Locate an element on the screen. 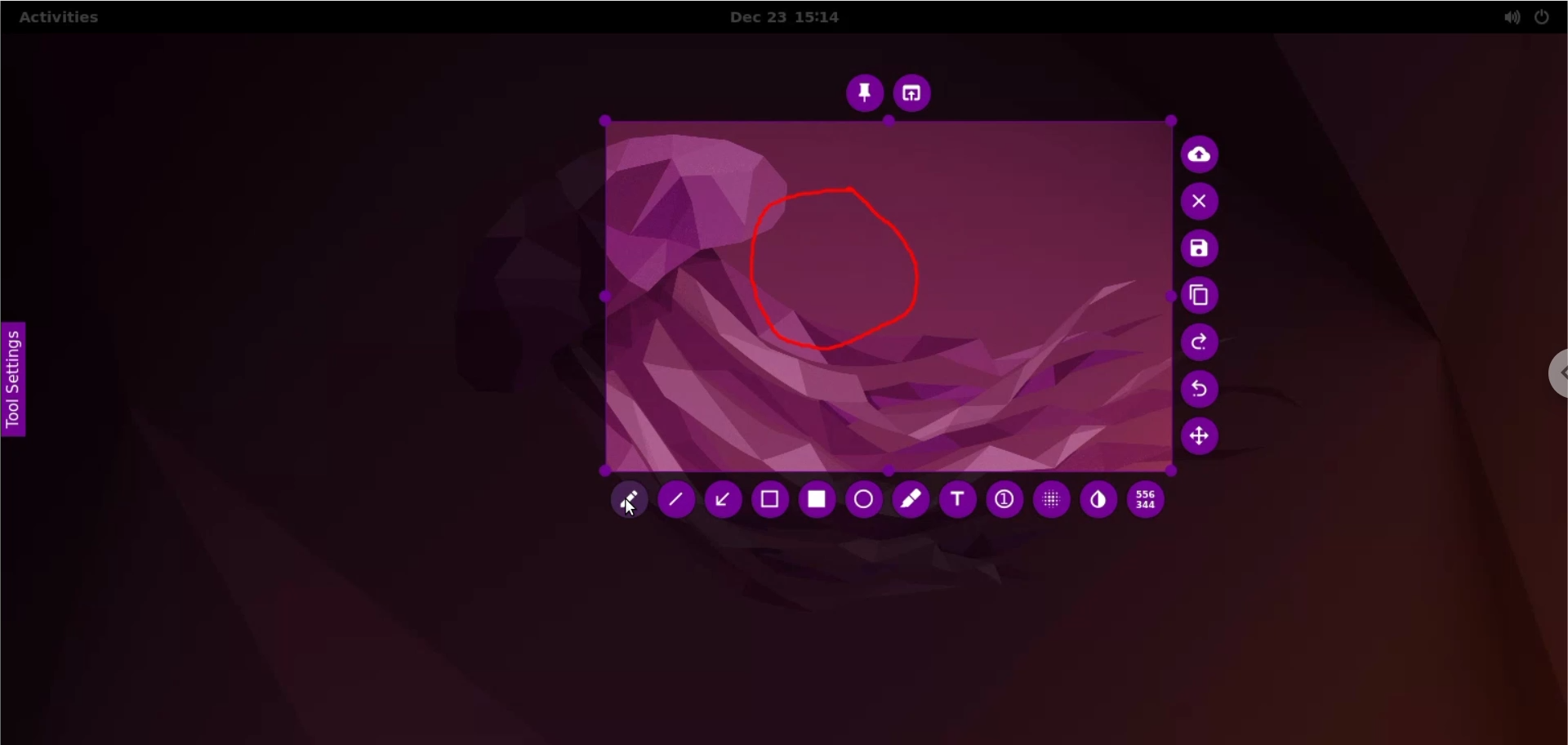 The height and width of the screenshot is (745, 1568). tool settings is located at coordinates (16, 383).